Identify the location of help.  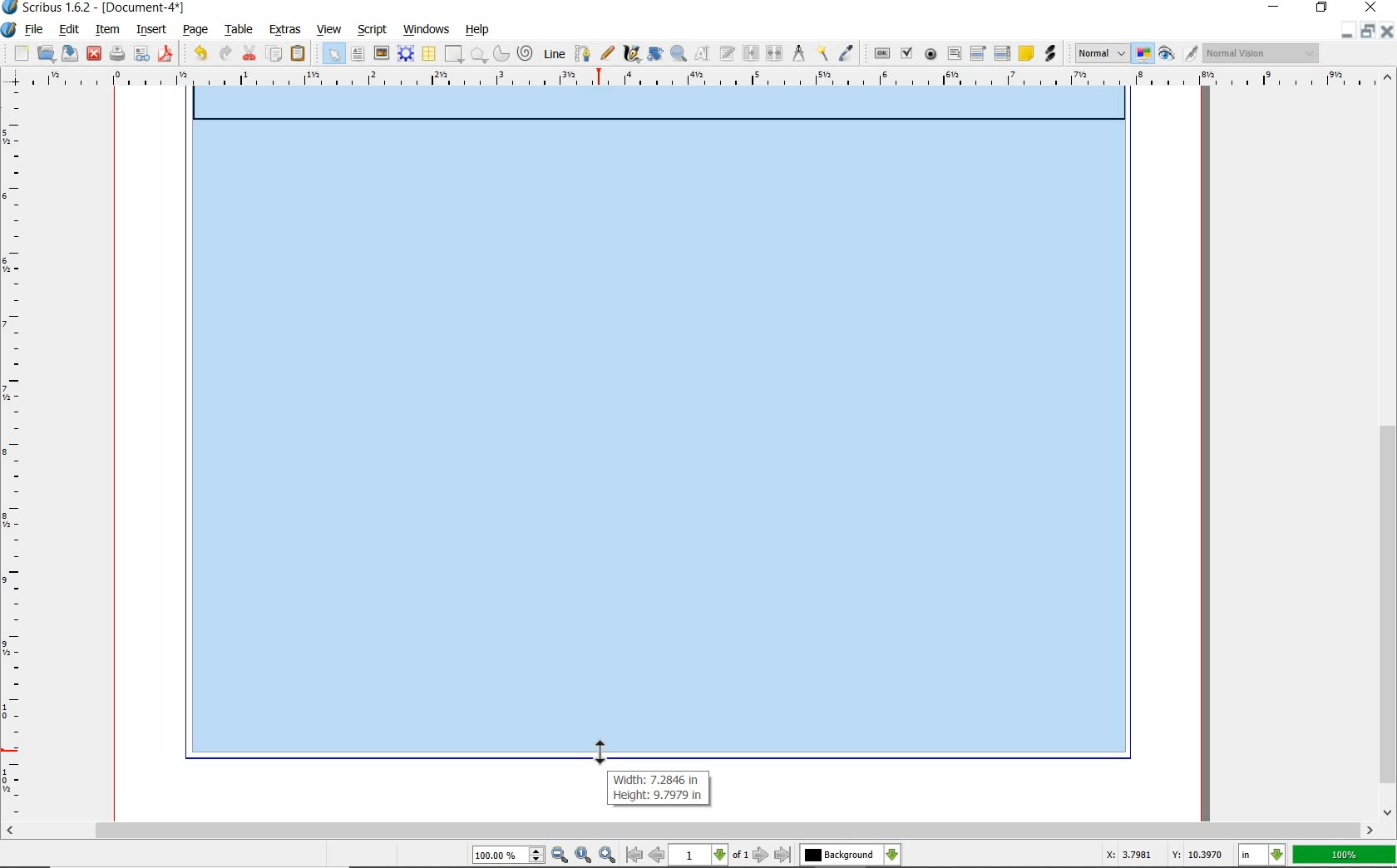
(479, 31).